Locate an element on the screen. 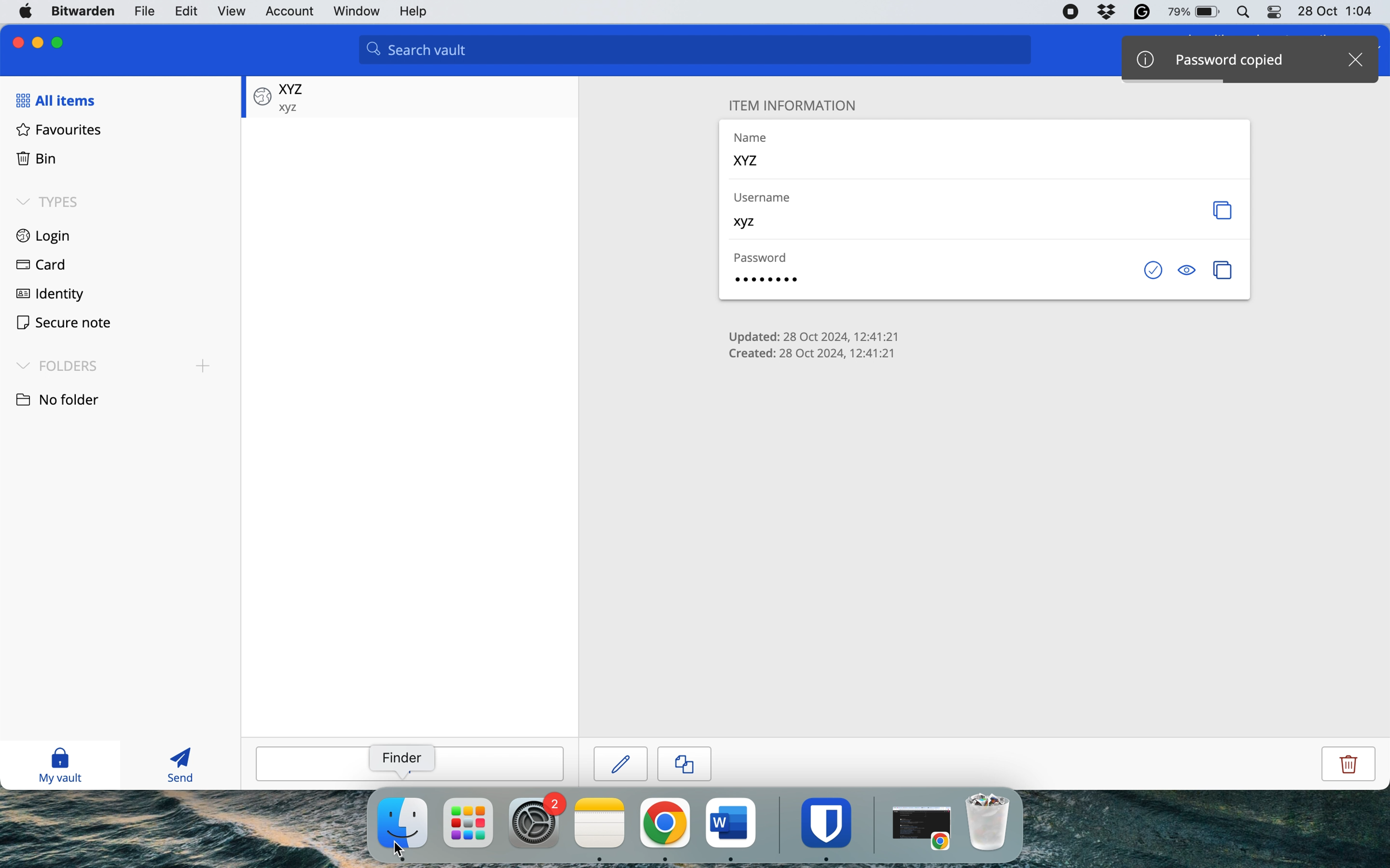 This screenshot has height=868, width=1390. password copied is located at coordinates (1230, 59).